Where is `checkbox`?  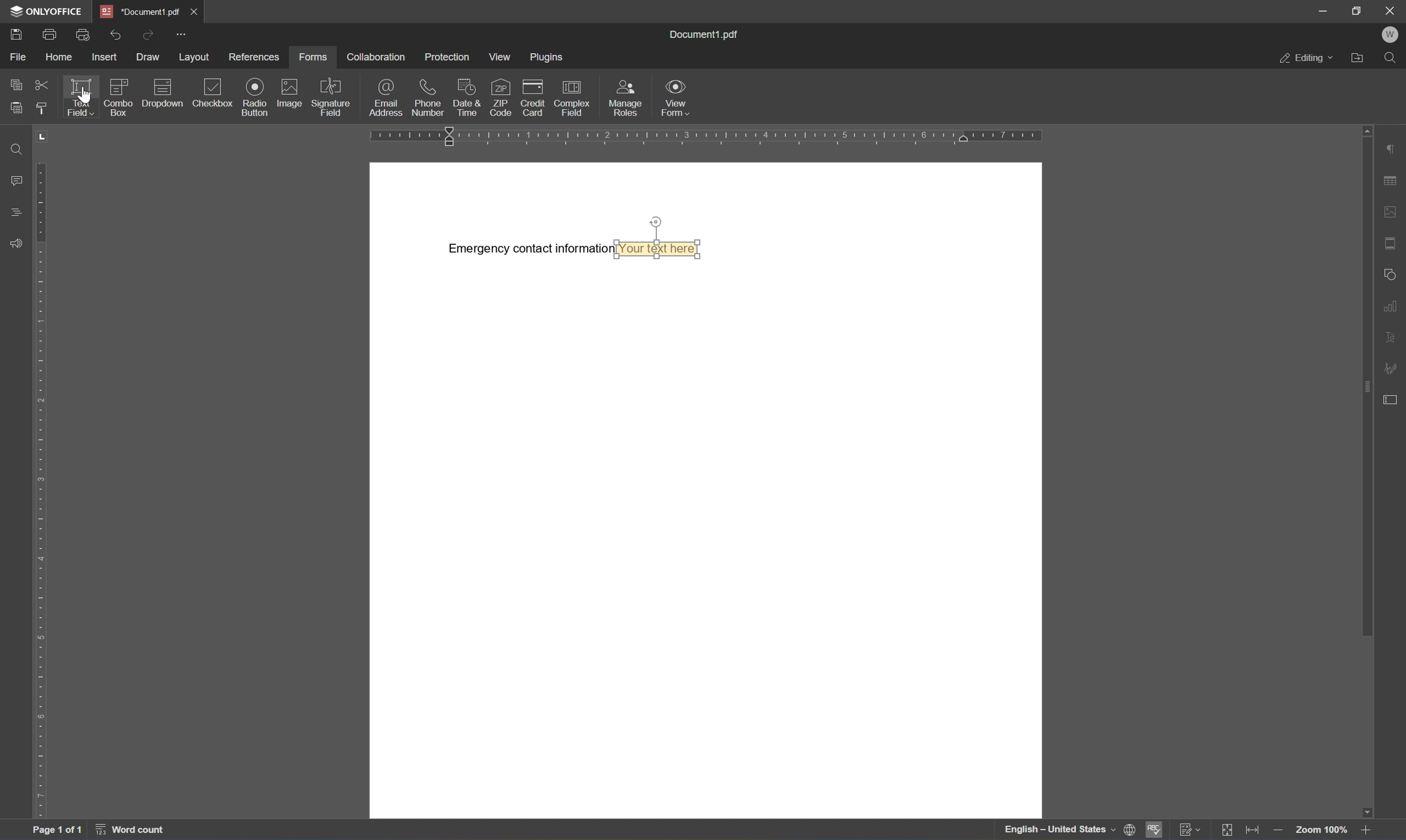
checkbox is located at coordinates (212, 96).